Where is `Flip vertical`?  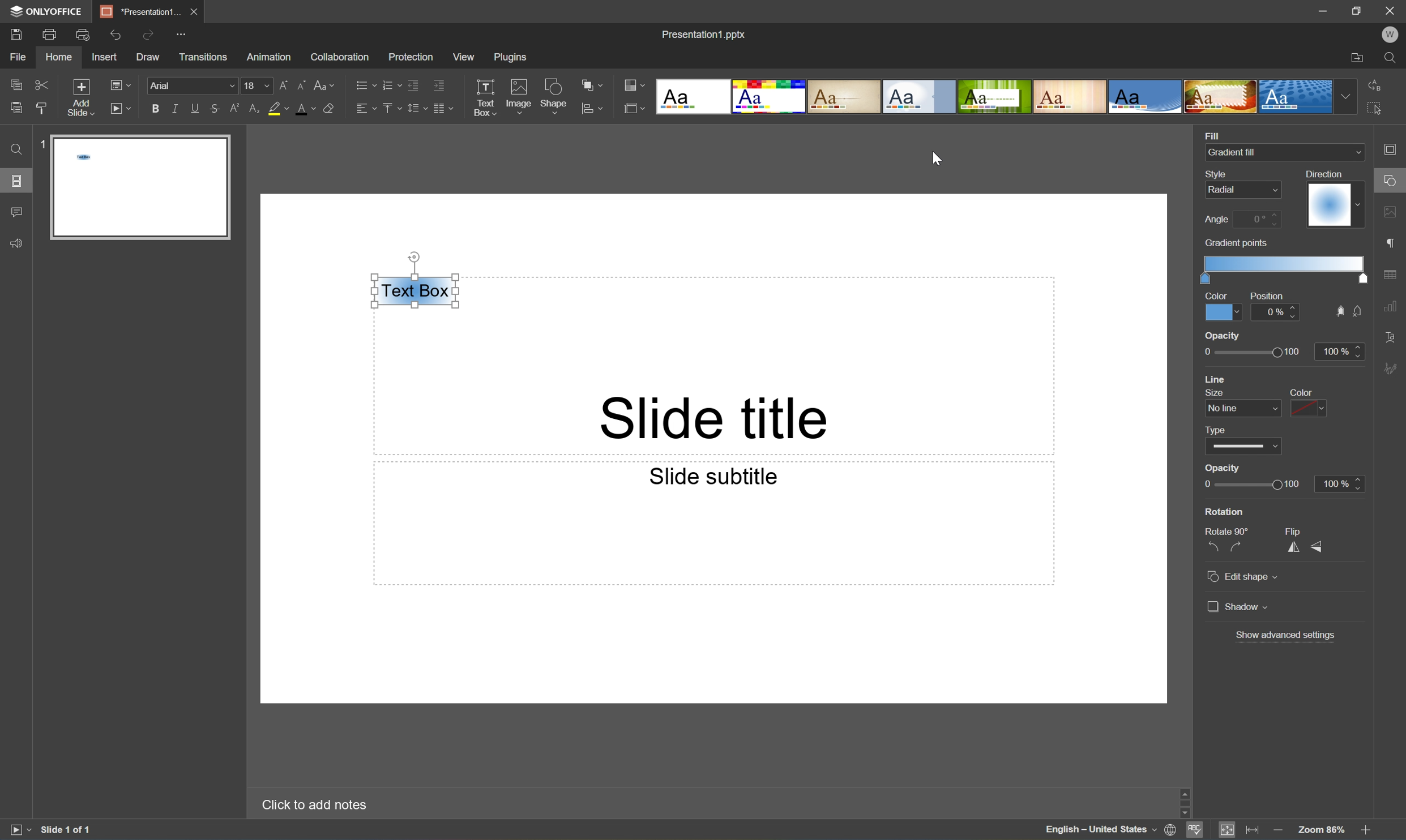 Flip vertical is located at coordinates (1320, 546).